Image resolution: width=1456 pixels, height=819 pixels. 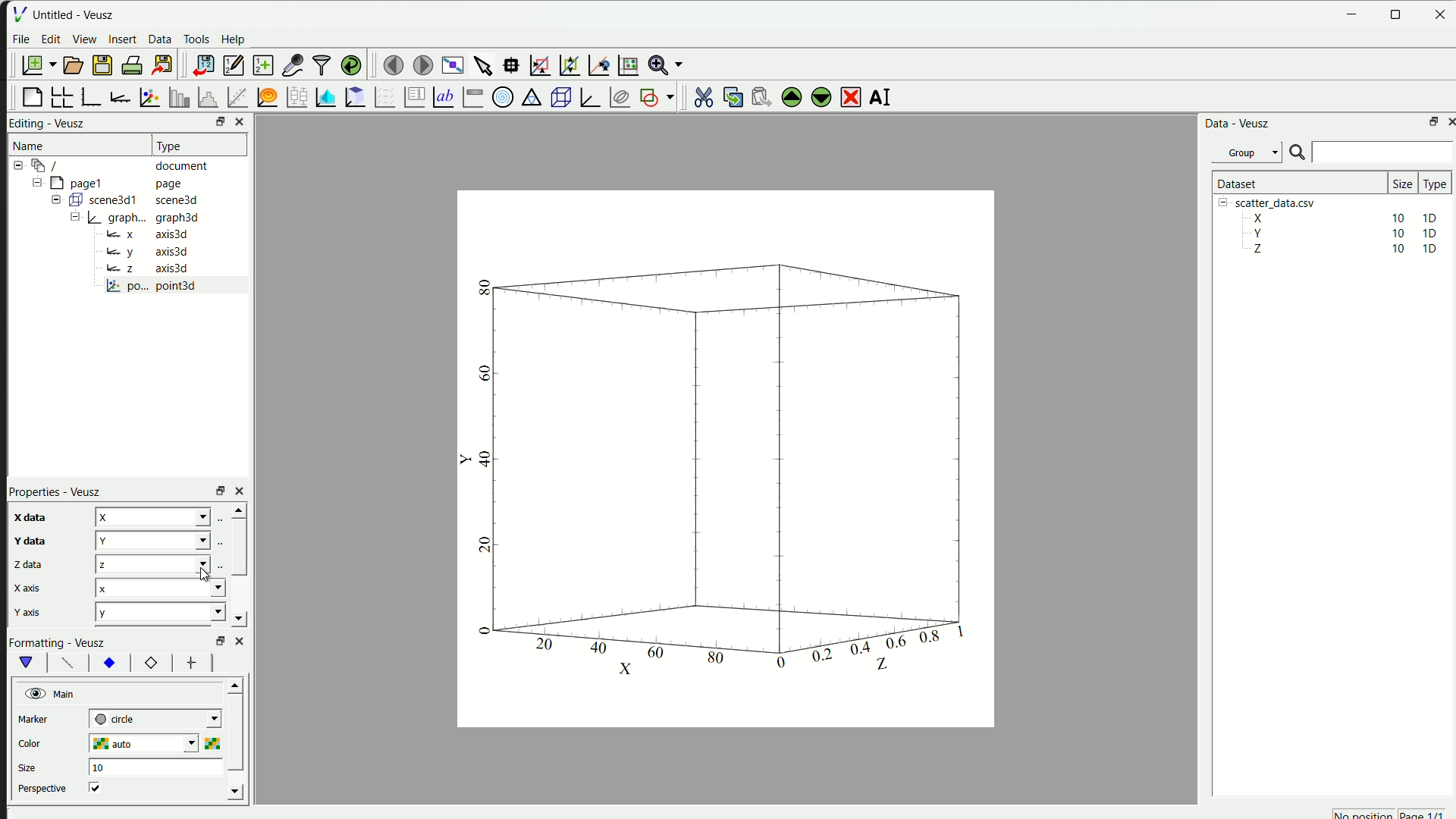 I want to click on left right button, so click(x=234, y=663).